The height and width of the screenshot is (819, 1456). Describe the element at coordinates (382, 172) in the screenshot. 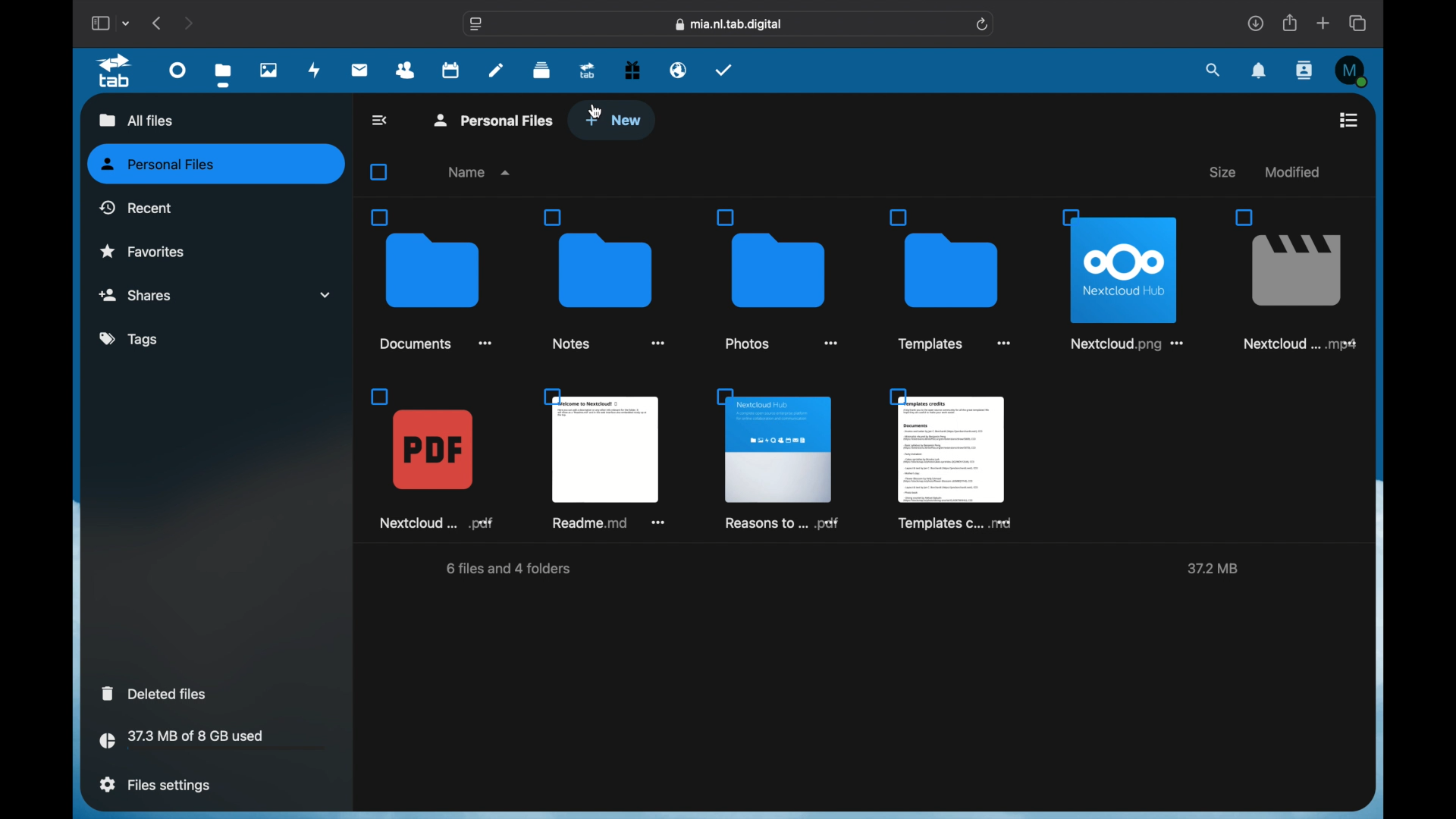

I see `checkbox` at that location.